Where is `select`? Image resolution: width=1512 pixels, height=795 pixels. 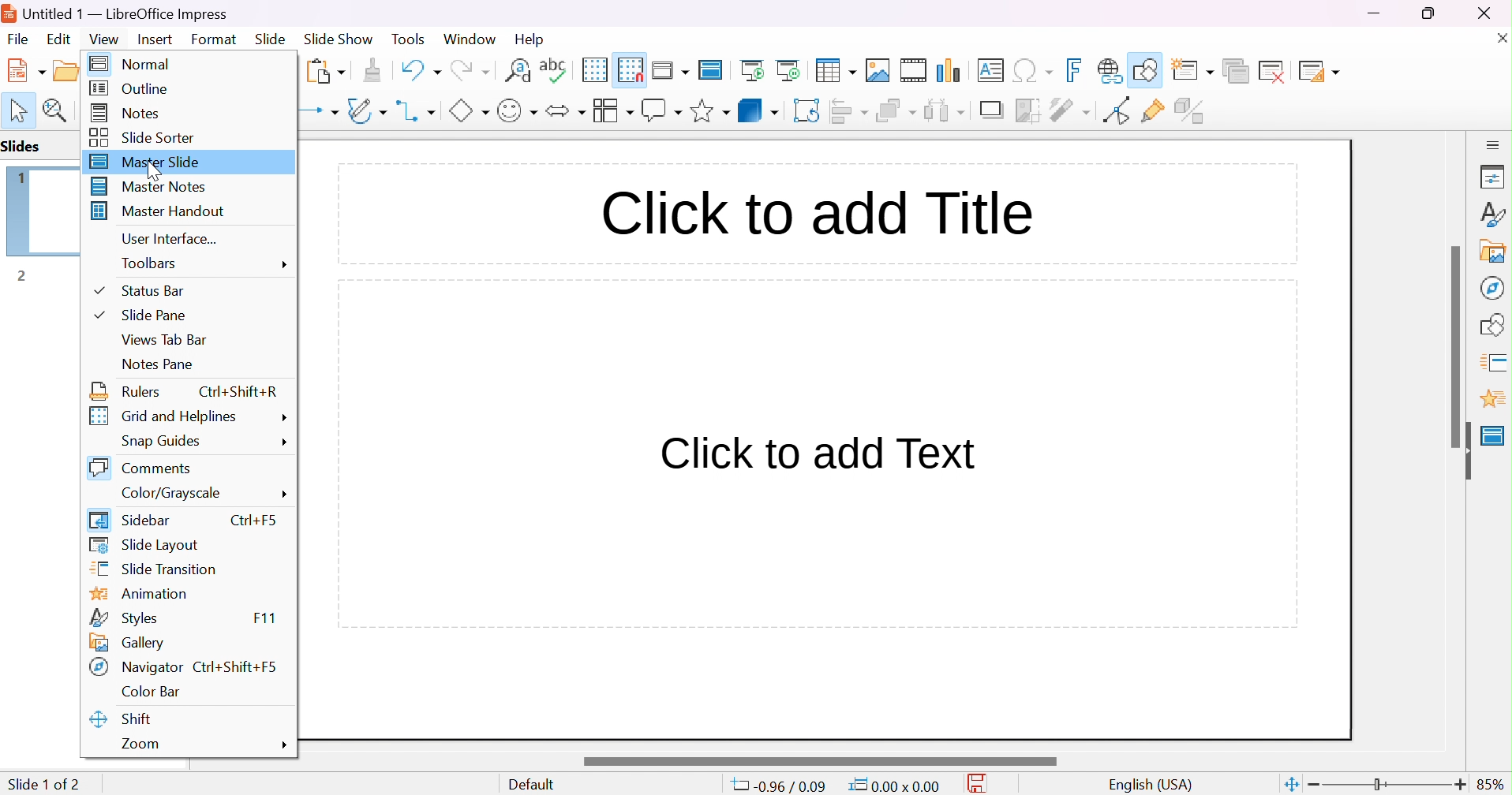
select is located at coordinates (20, 110).